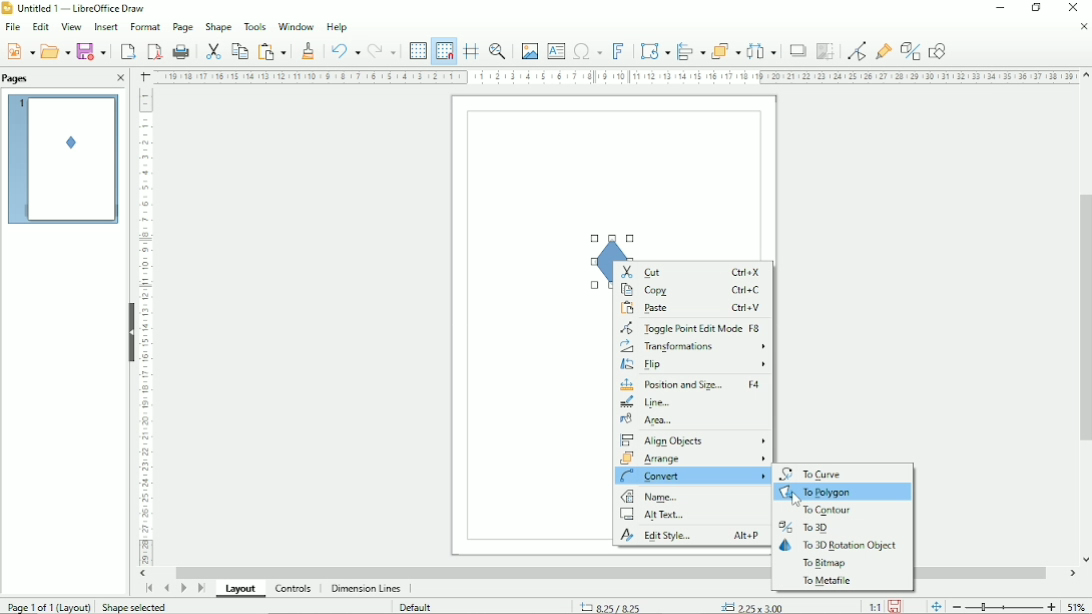  What do you see at coordinates (444, 50) in the screenshot?
I see `Snap to grid` at bounding box center [444, 50].